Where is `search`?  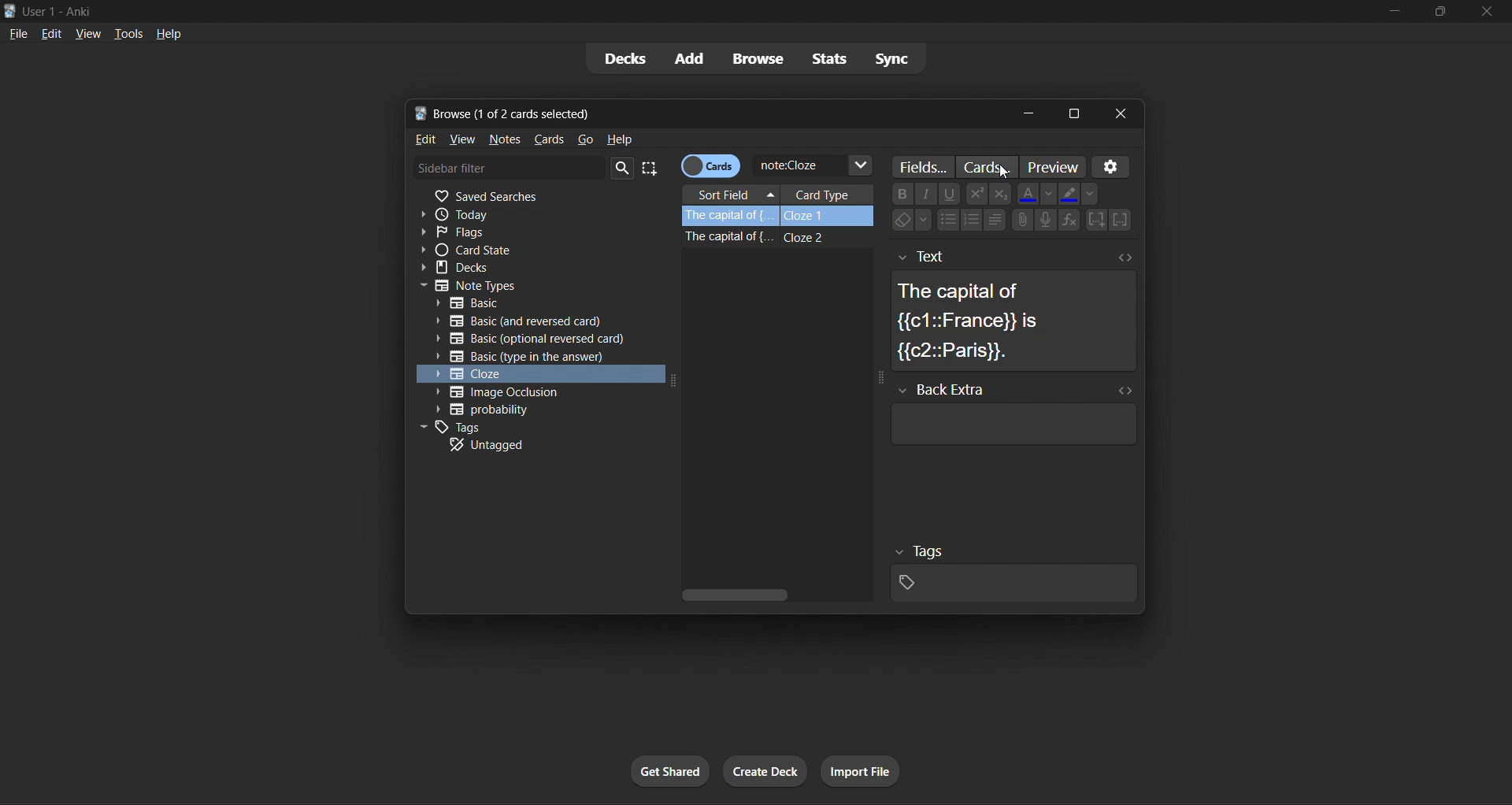
search is located at coordinates (624, 169).